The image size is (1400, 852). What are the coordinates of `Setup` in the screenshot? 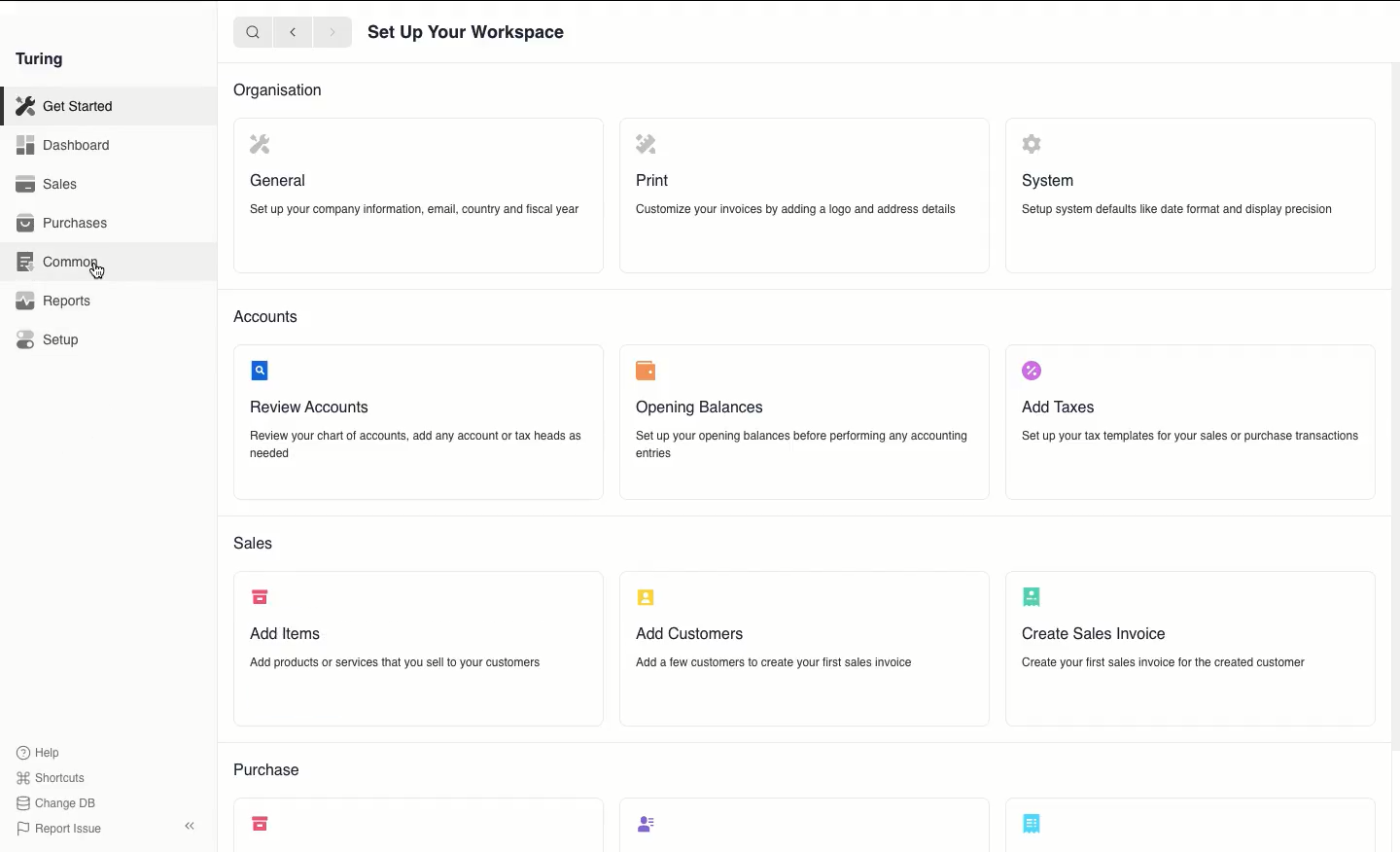 It's located at (52, 340).